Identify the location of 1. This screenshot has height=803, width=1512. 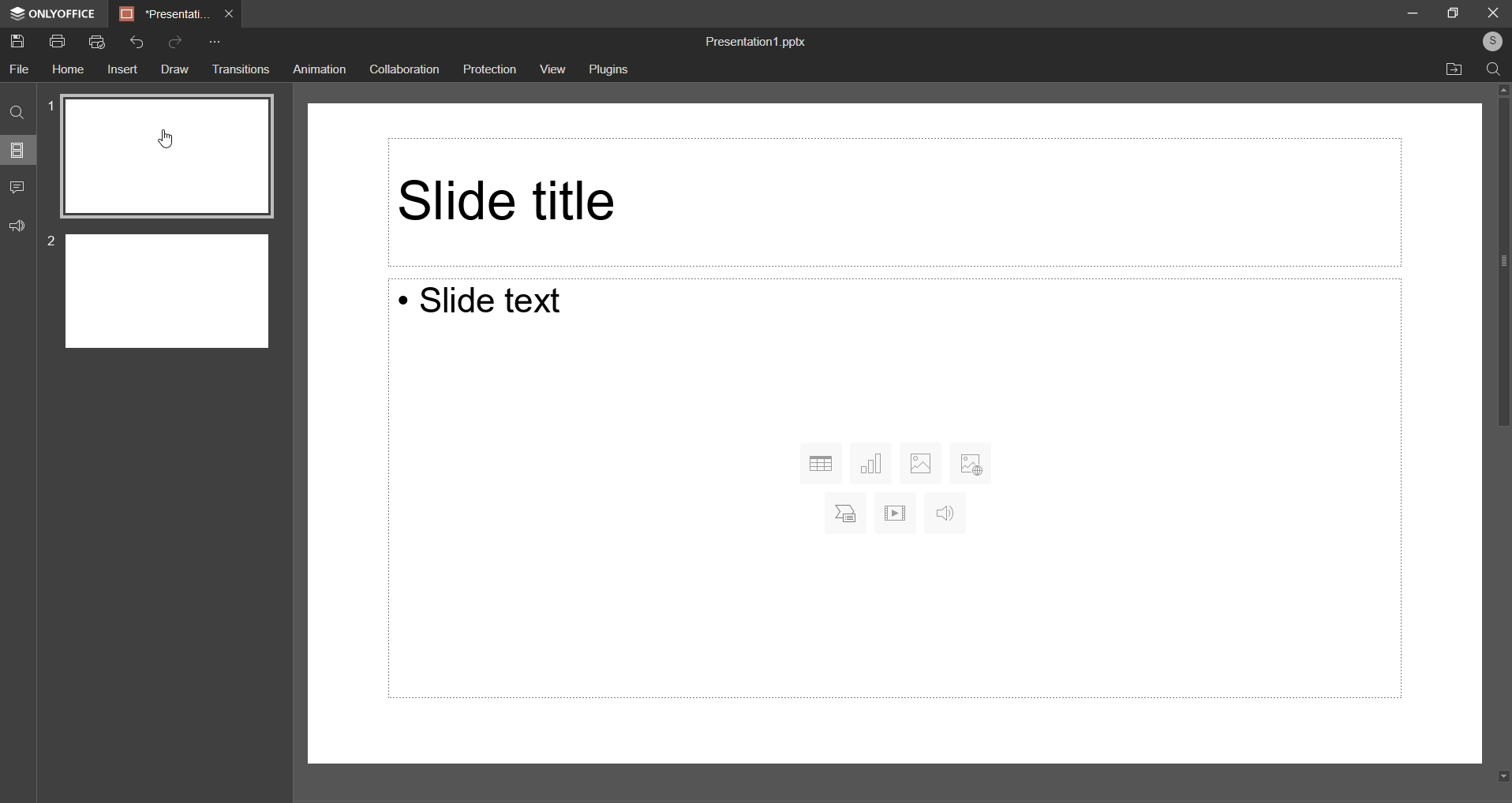
(52, 104).